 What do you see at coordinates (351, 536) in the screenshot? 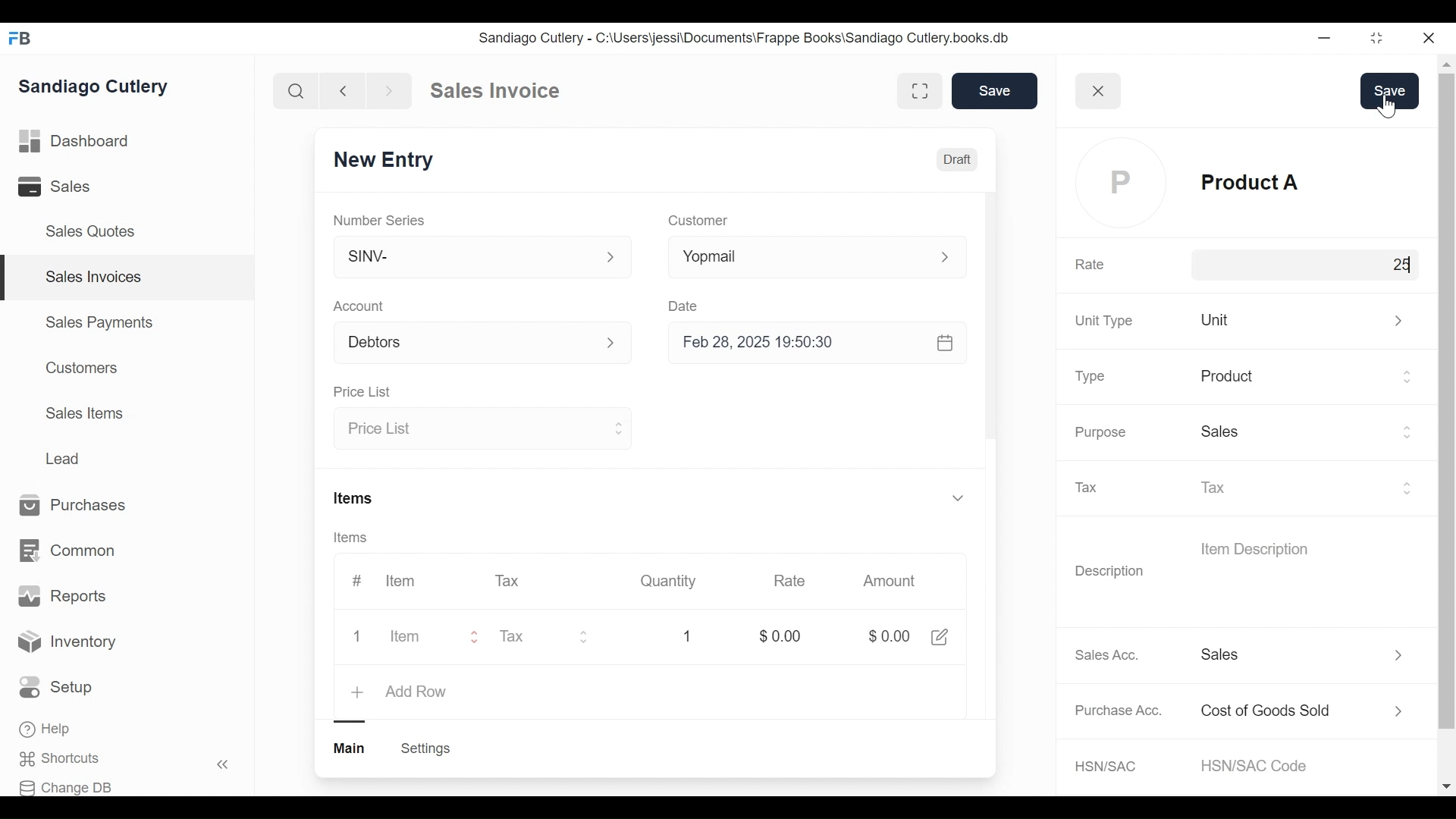
I see `Items` at bounding box center [351, 536].